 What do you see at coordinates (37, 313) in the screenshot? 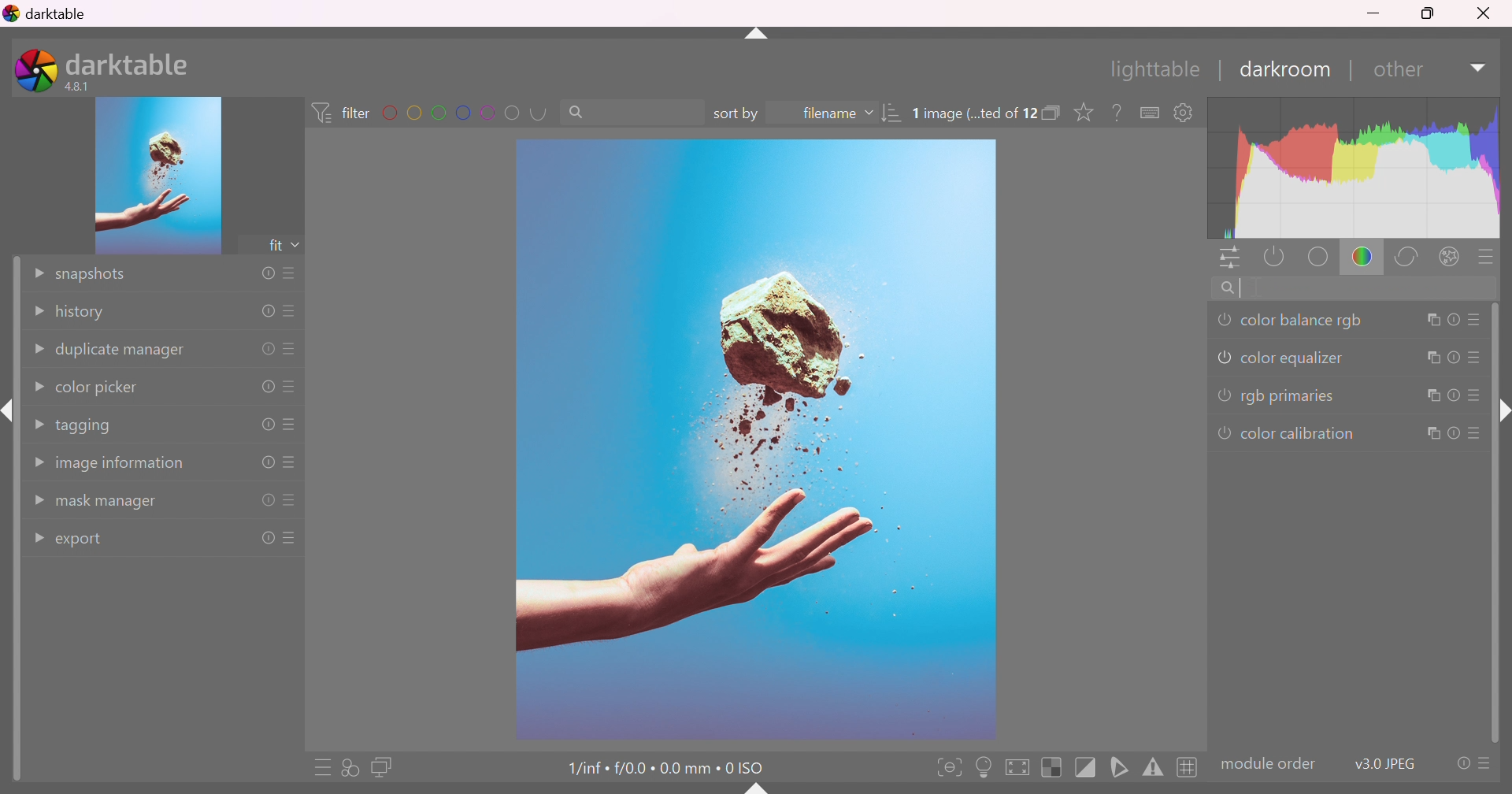
I see `Drop Down` at bounding box center [37, 313].